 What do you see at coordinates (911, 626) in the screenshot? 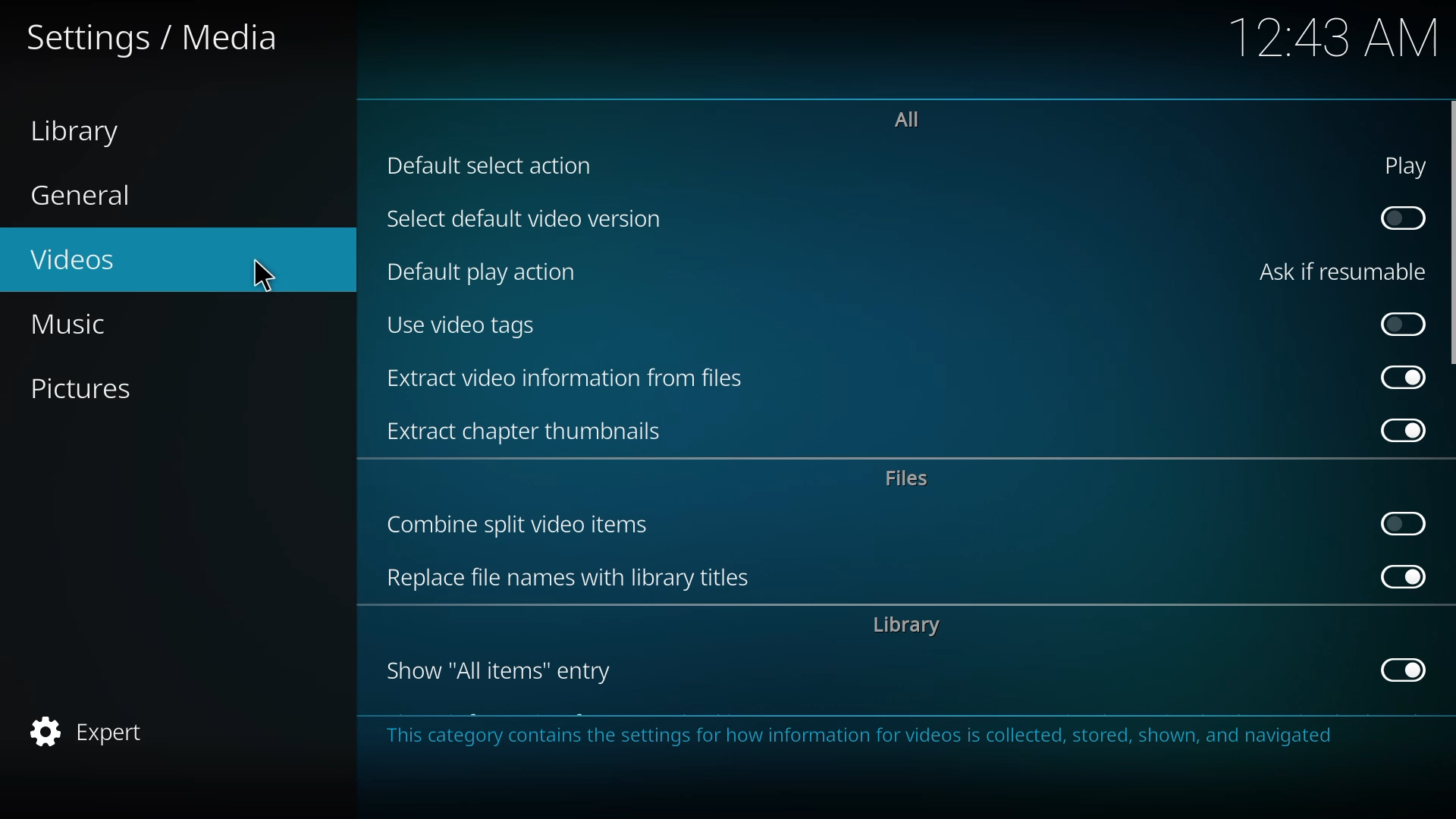
I see `library` at bounding box center [911, 626].